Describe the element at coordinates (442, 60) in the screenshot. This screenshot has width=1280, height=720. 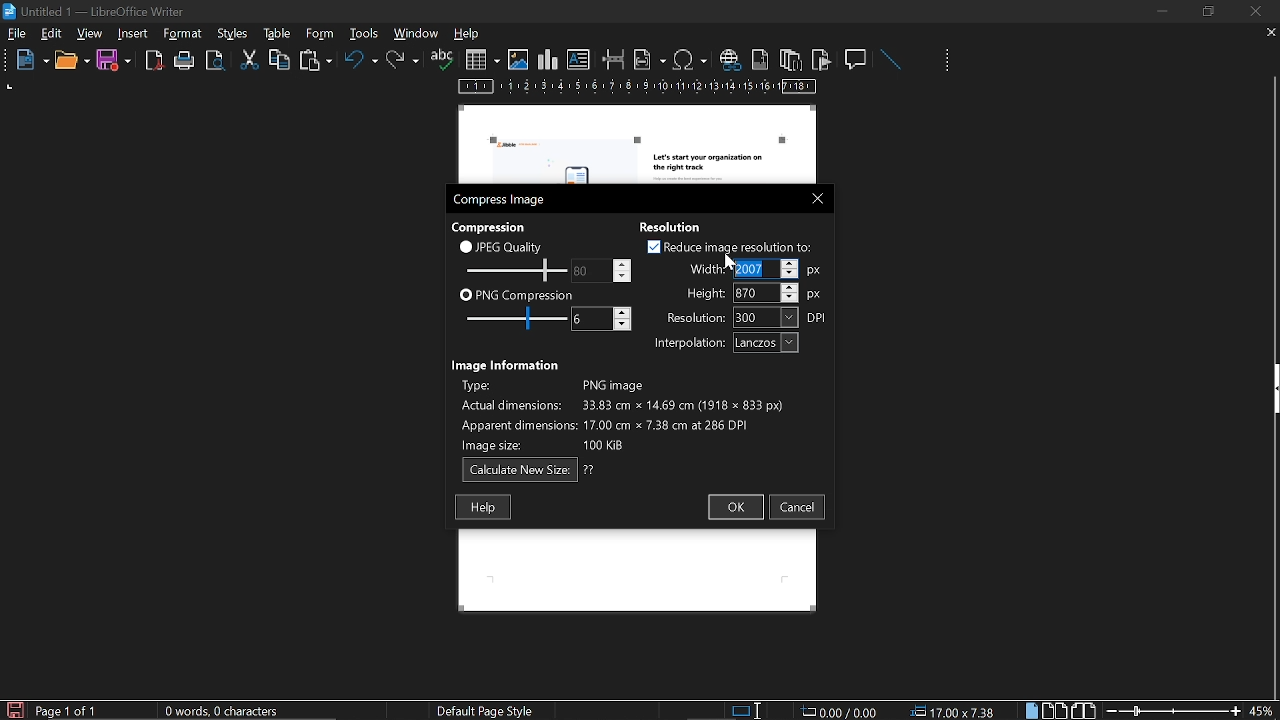
I see `spelling` at that location.